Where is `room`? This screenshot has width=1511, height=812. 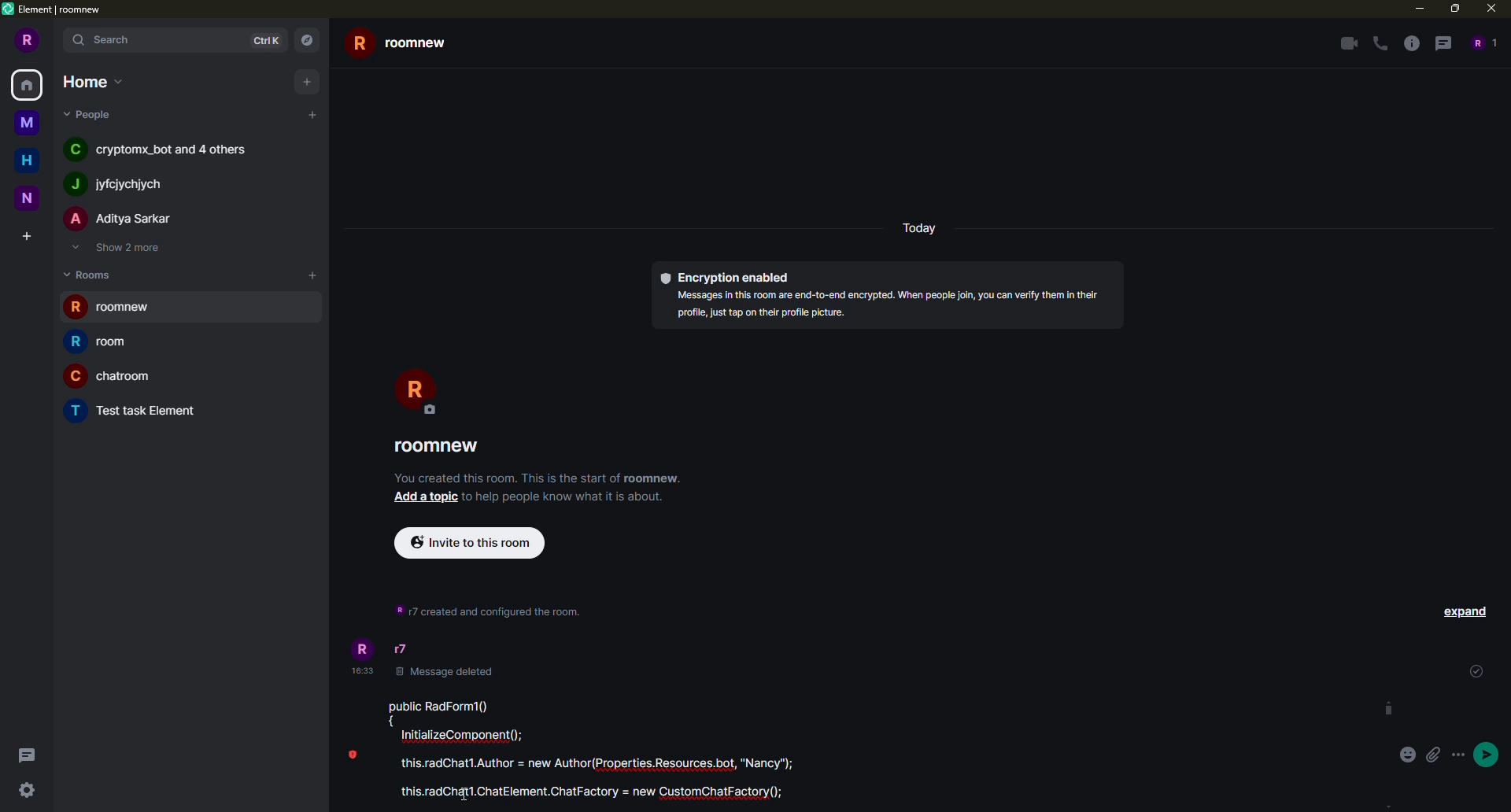
room is located at coordinates (110, 341).